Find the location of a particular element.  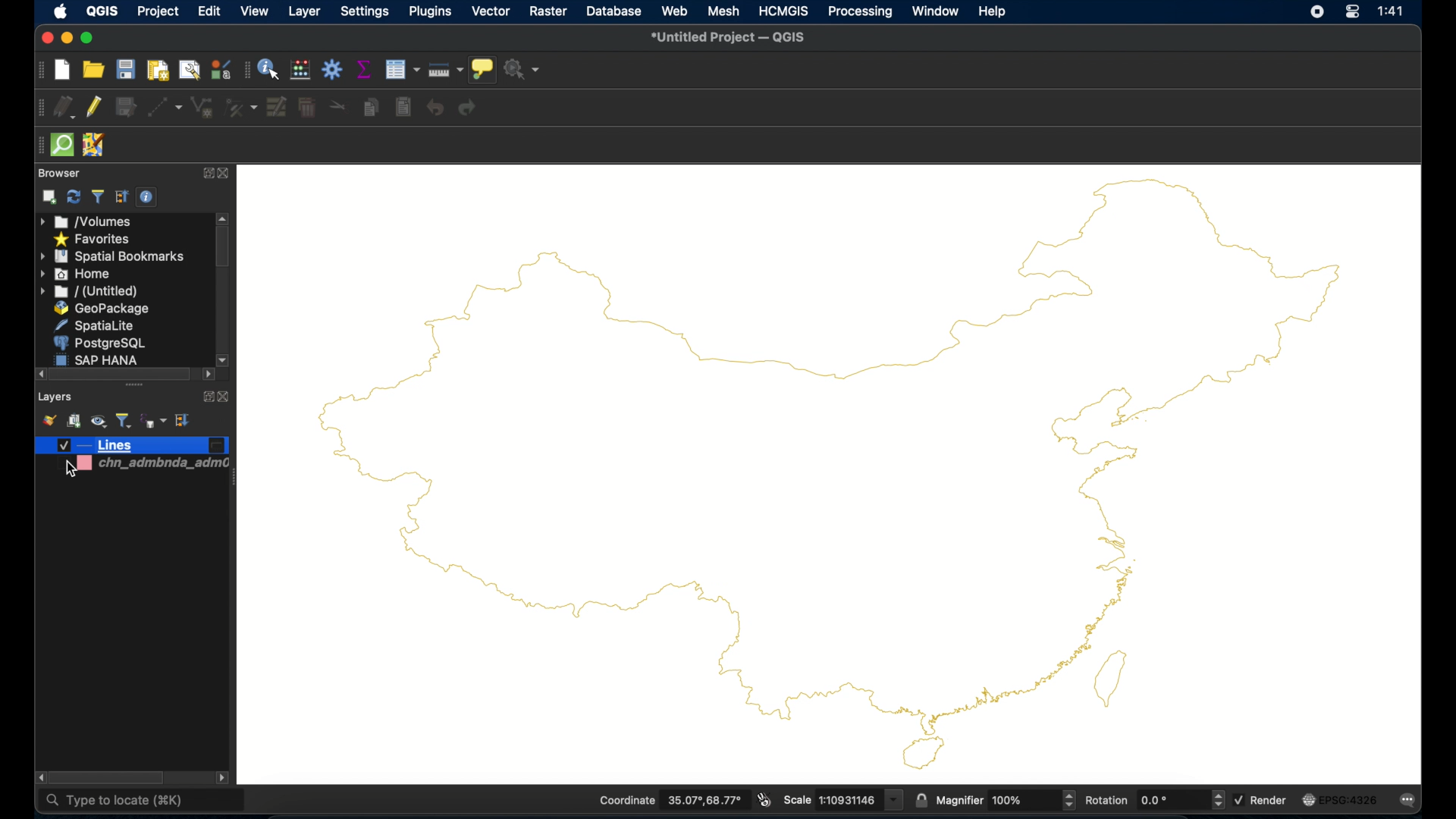

refresh is located at coordinates (74, 196).